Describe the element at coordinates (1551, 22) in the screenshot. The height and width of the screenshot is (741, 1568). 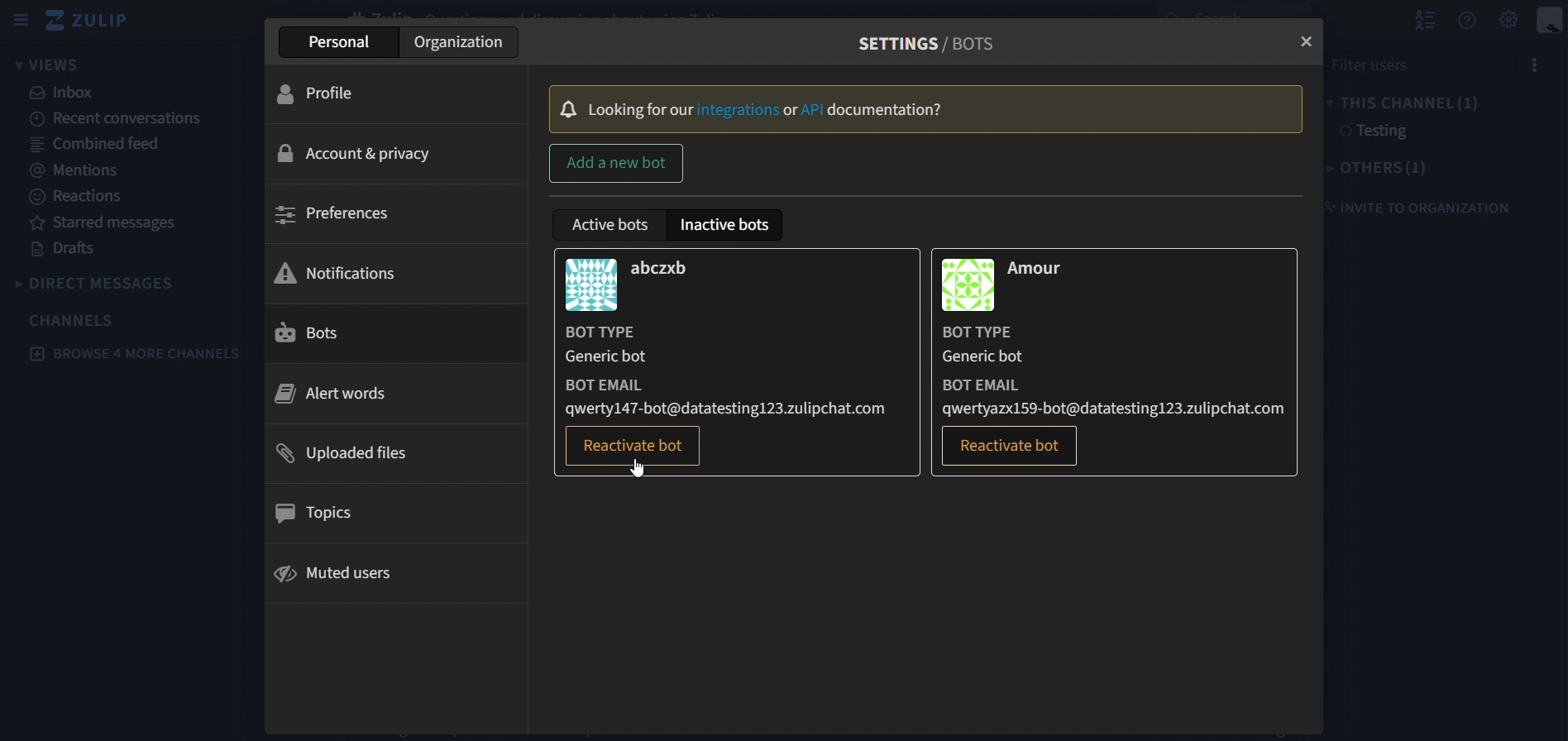
I see `personal menu` at that location.